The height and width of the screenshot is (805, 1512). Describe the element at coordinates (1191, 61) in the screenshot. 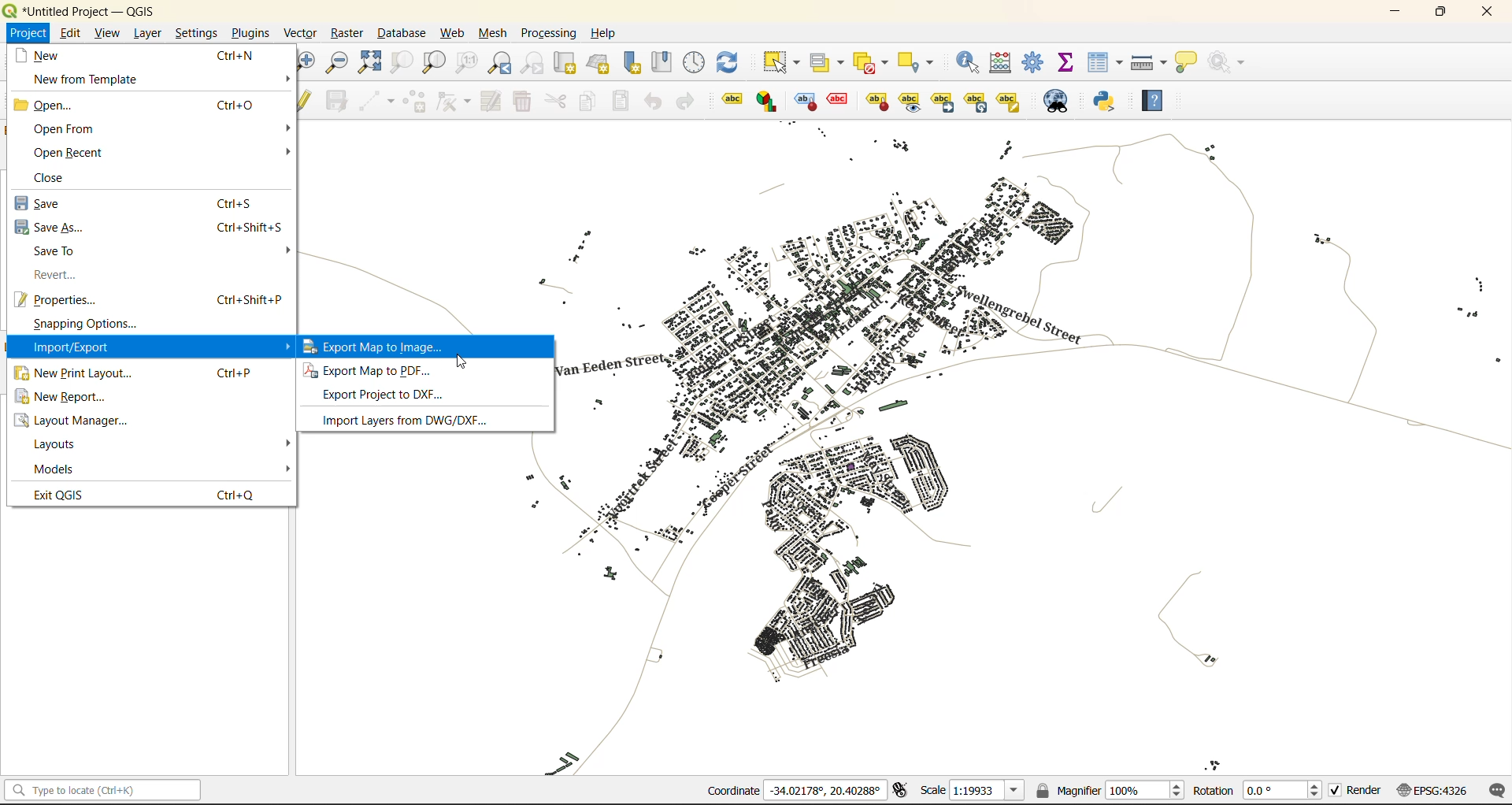

I see `show tips` at that location.